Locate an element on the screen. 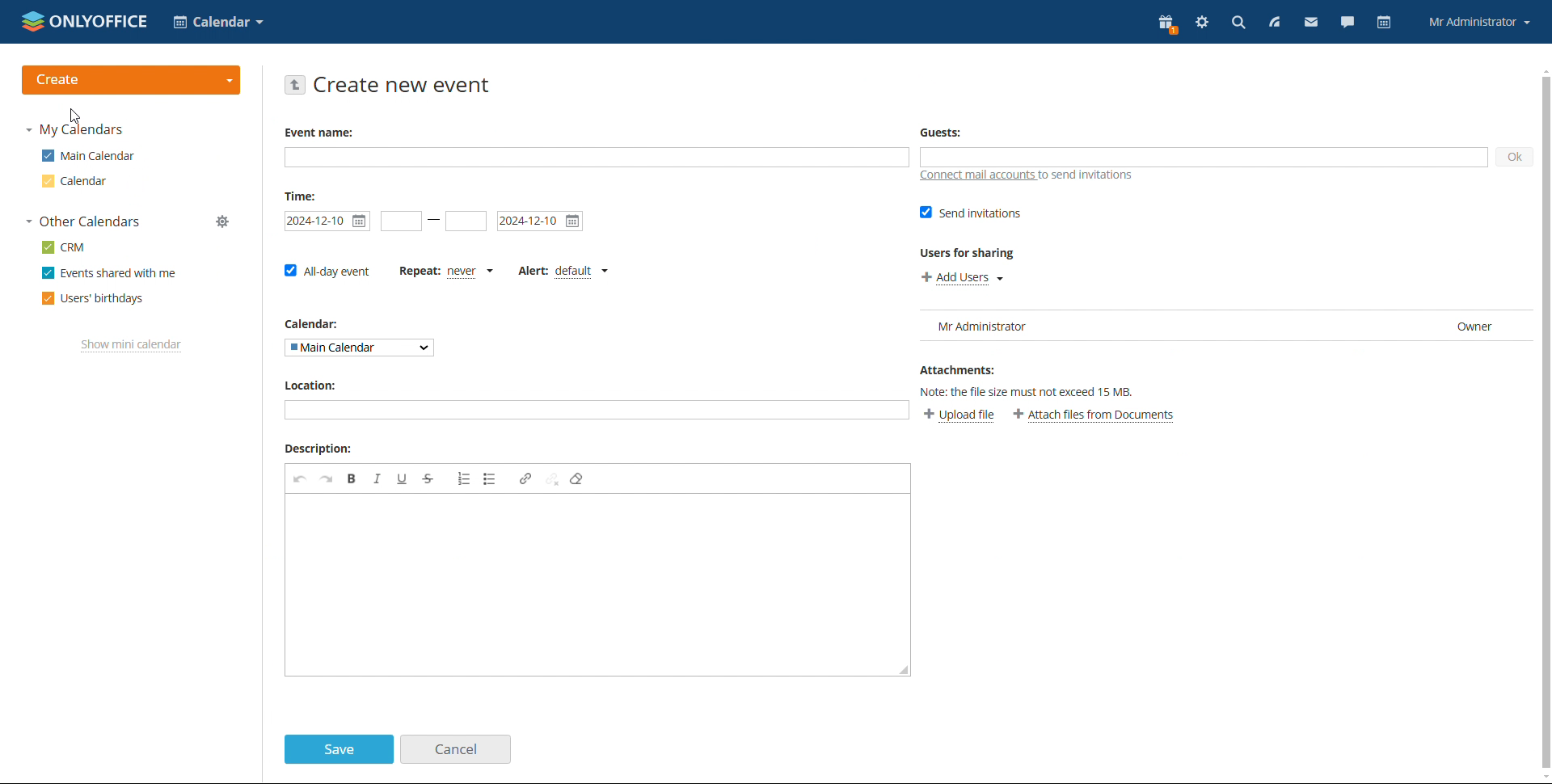 The image size is (1552, 784). other calendars is located at coordinates (83, 221).